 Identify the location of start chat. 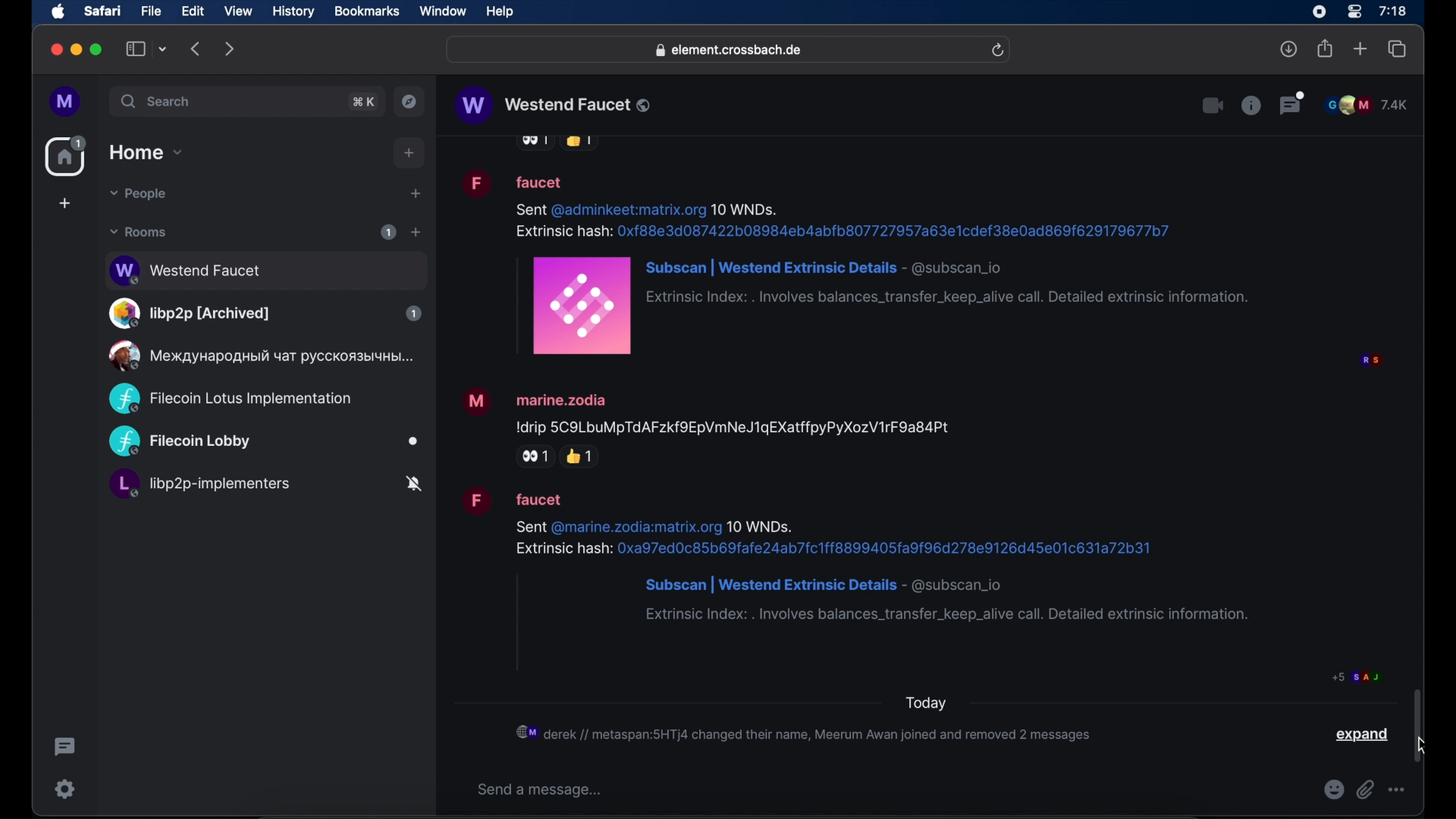
(415, 194).